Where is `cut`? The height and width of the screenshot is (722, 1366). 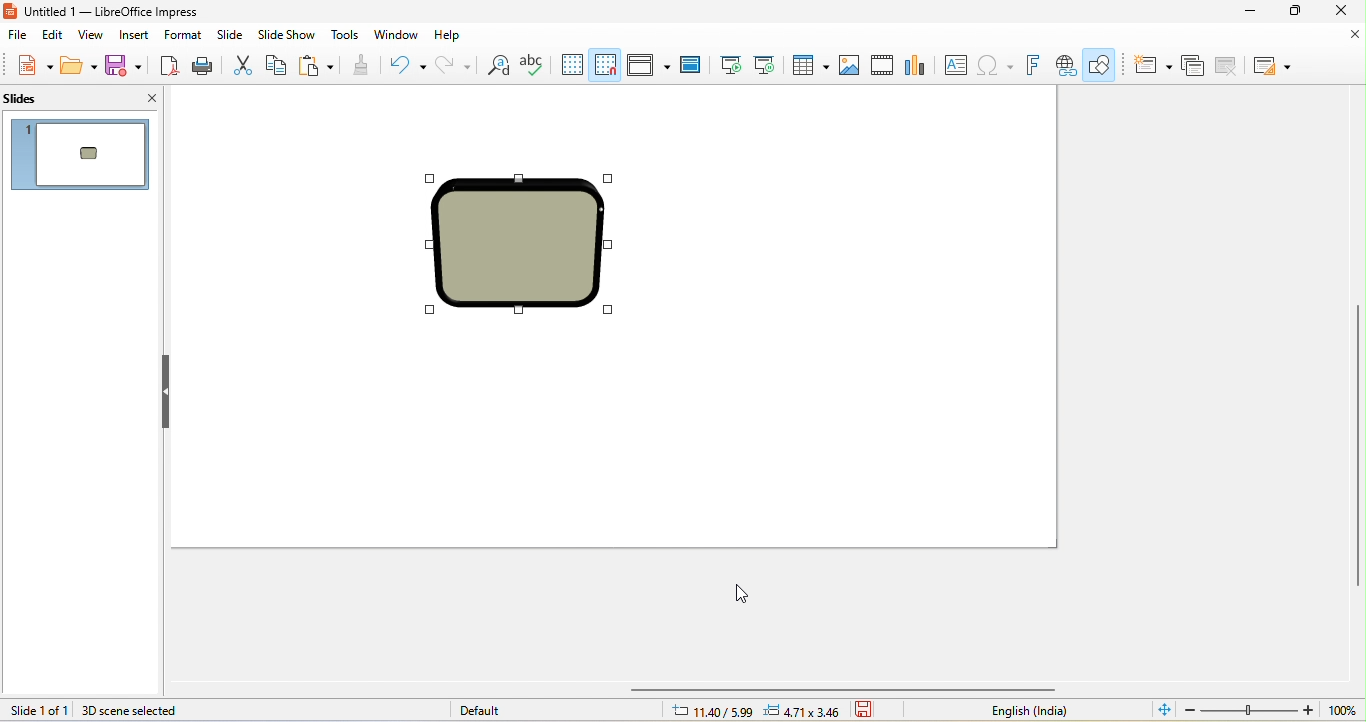
cut is located at coordinates (241, 64).